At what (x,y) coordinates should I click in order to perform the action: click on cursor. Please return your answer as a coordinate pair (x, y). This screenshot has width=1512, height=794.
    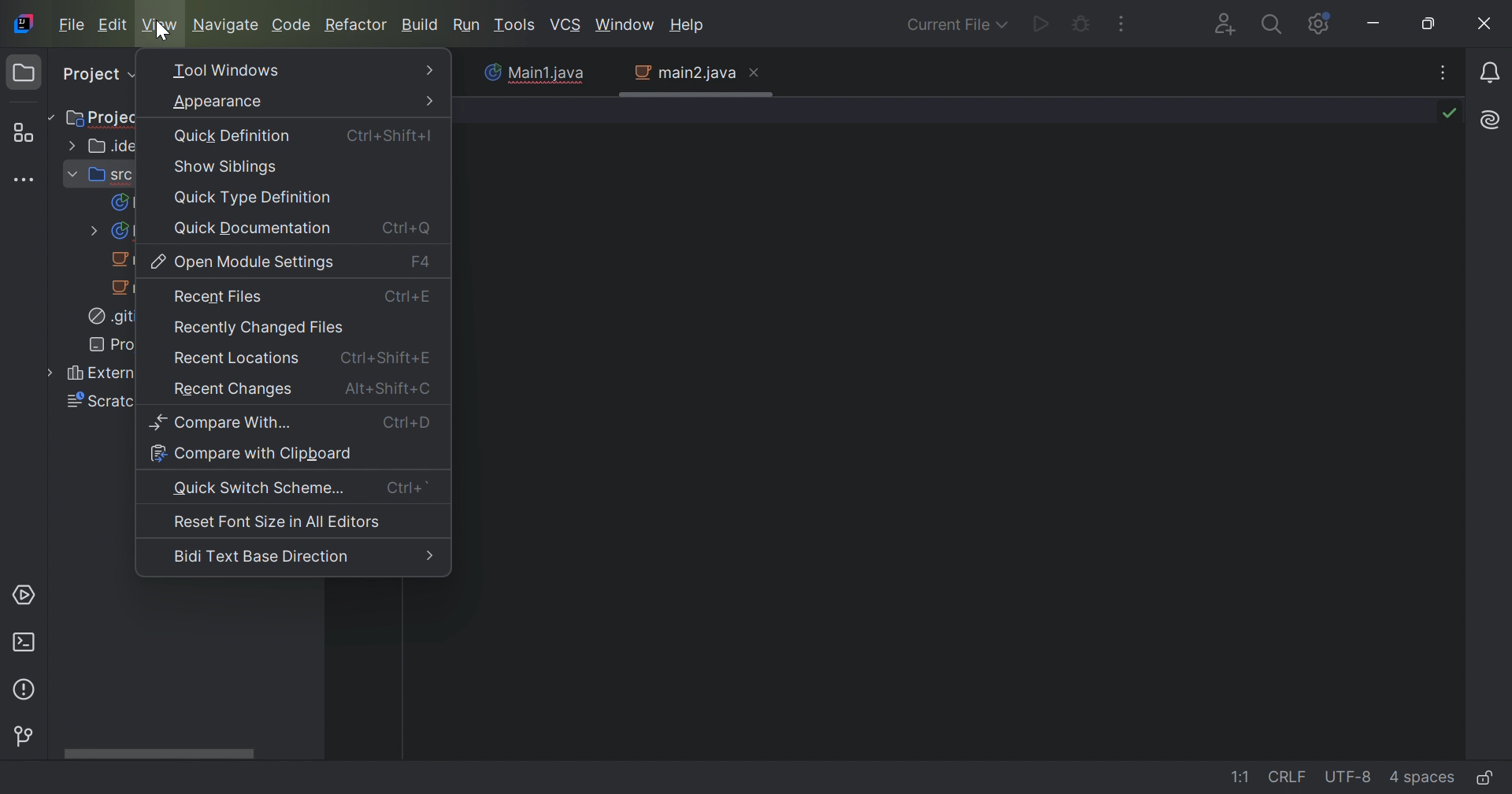
    Looking at the image, I should click on (161, 32).